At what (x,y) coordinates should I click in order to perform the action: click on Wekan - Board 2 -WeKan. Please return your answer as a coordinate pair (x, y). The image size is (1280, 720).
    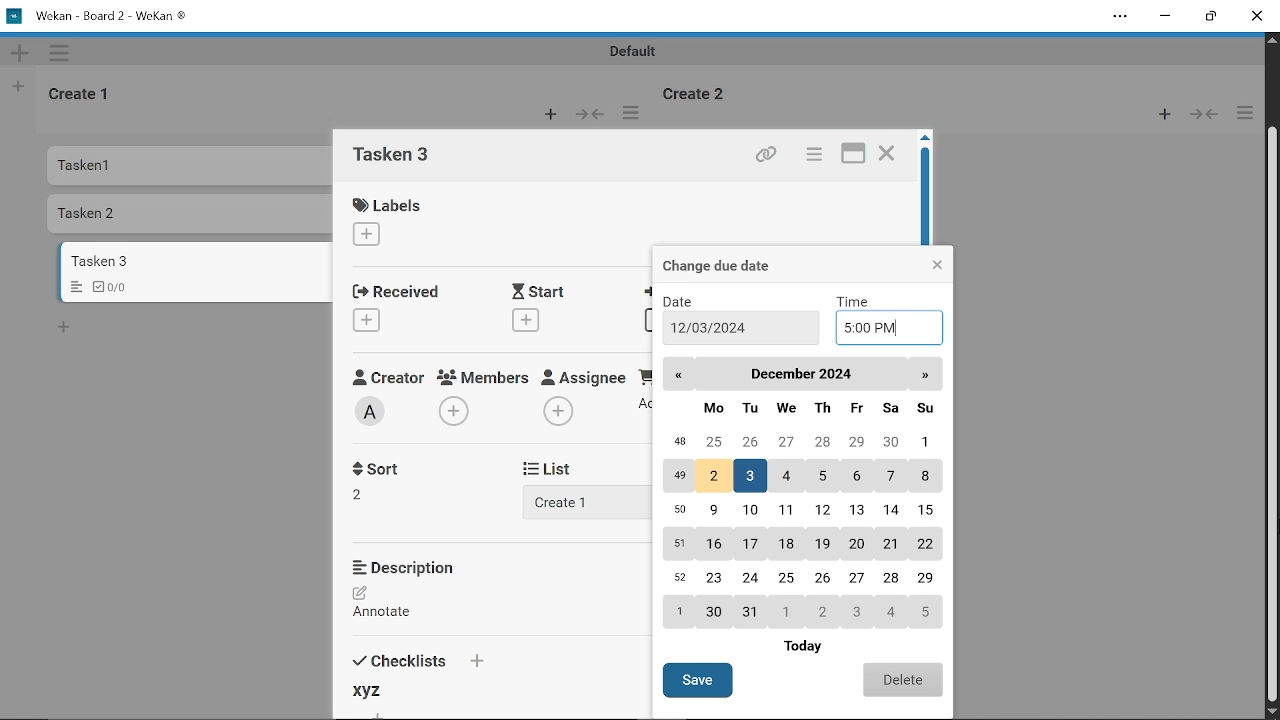
    Looking at the image, I should click on (100, 15).